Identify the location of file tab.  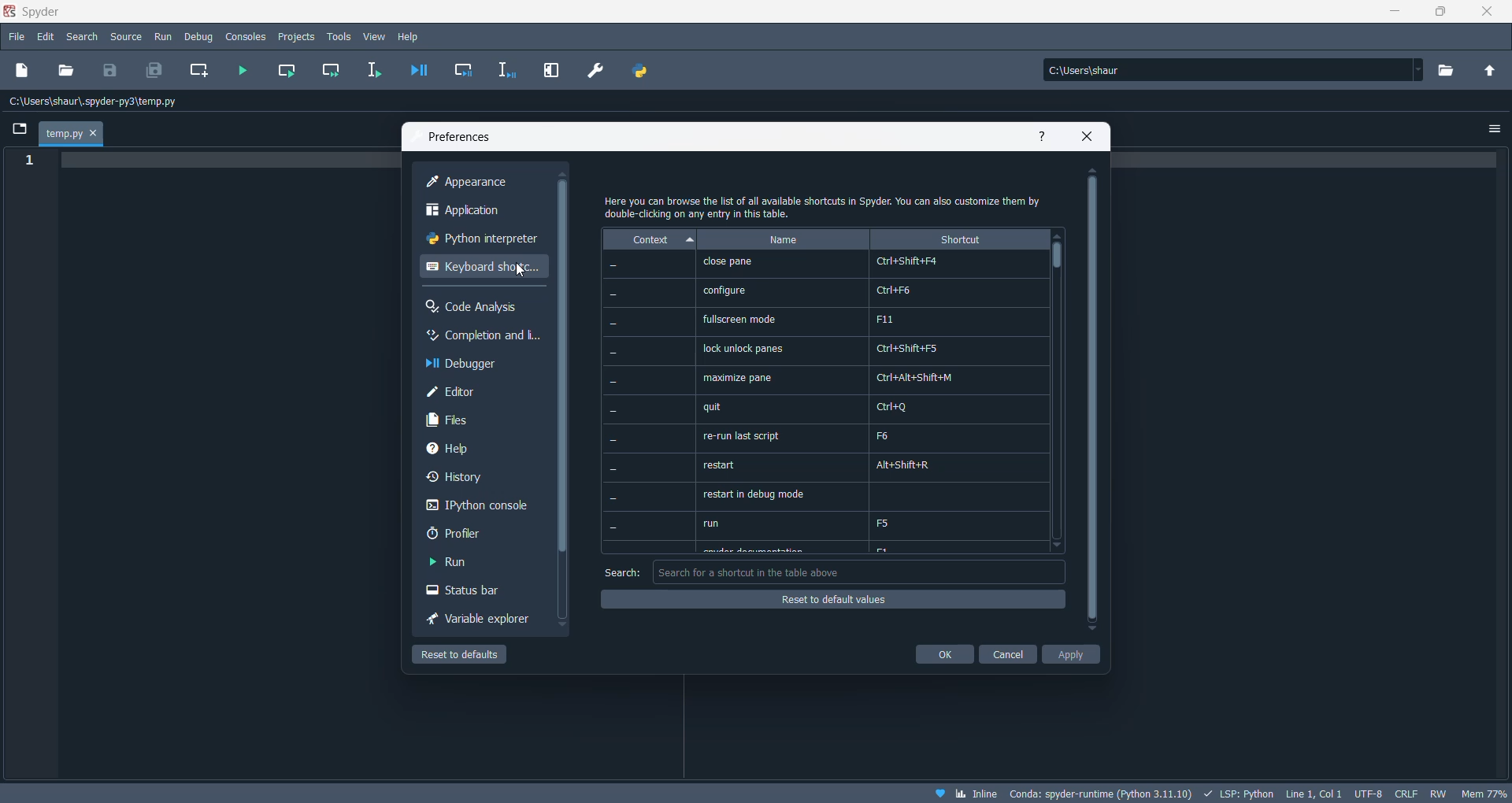
(72, 134).